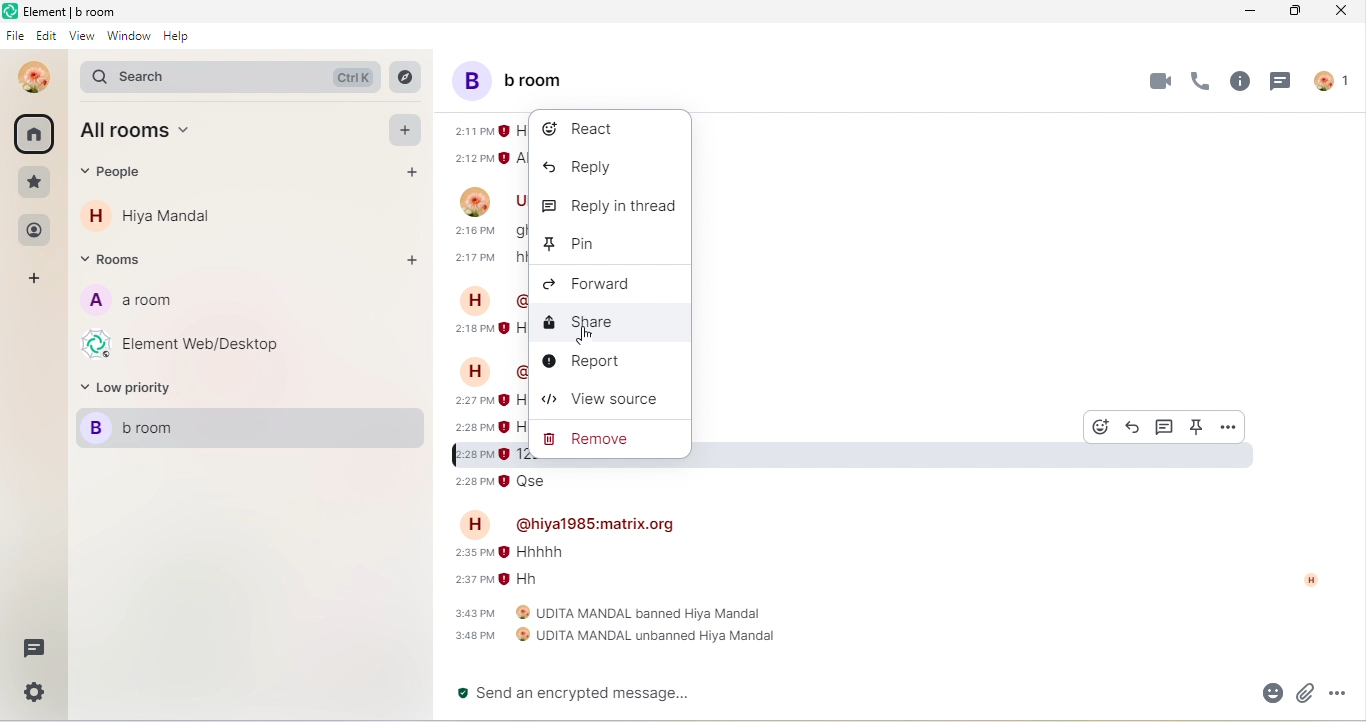 Image resolution: width=1366 pixels, height=722 pixels. Describe the element at coordinates (585, 129) in the screenshot. I see `react` at that location.